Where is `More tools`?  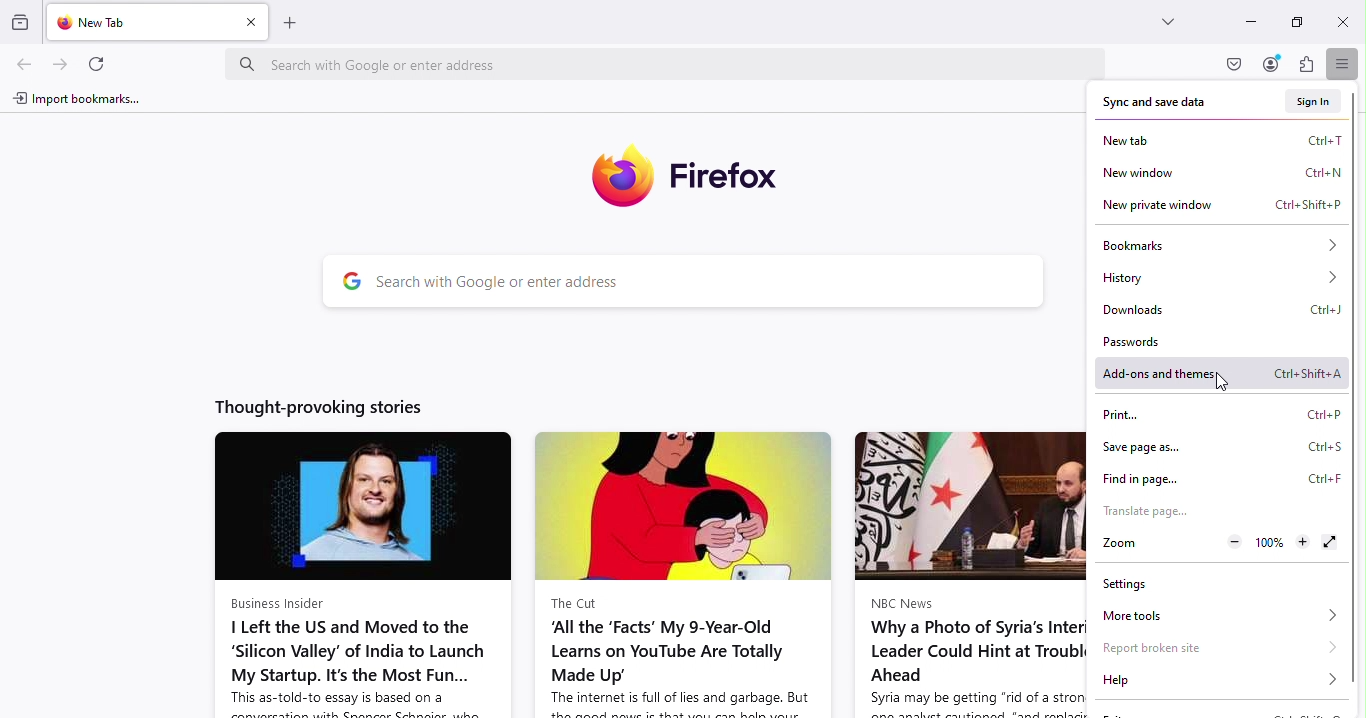 More tools is located at coordinates (1218, 615).